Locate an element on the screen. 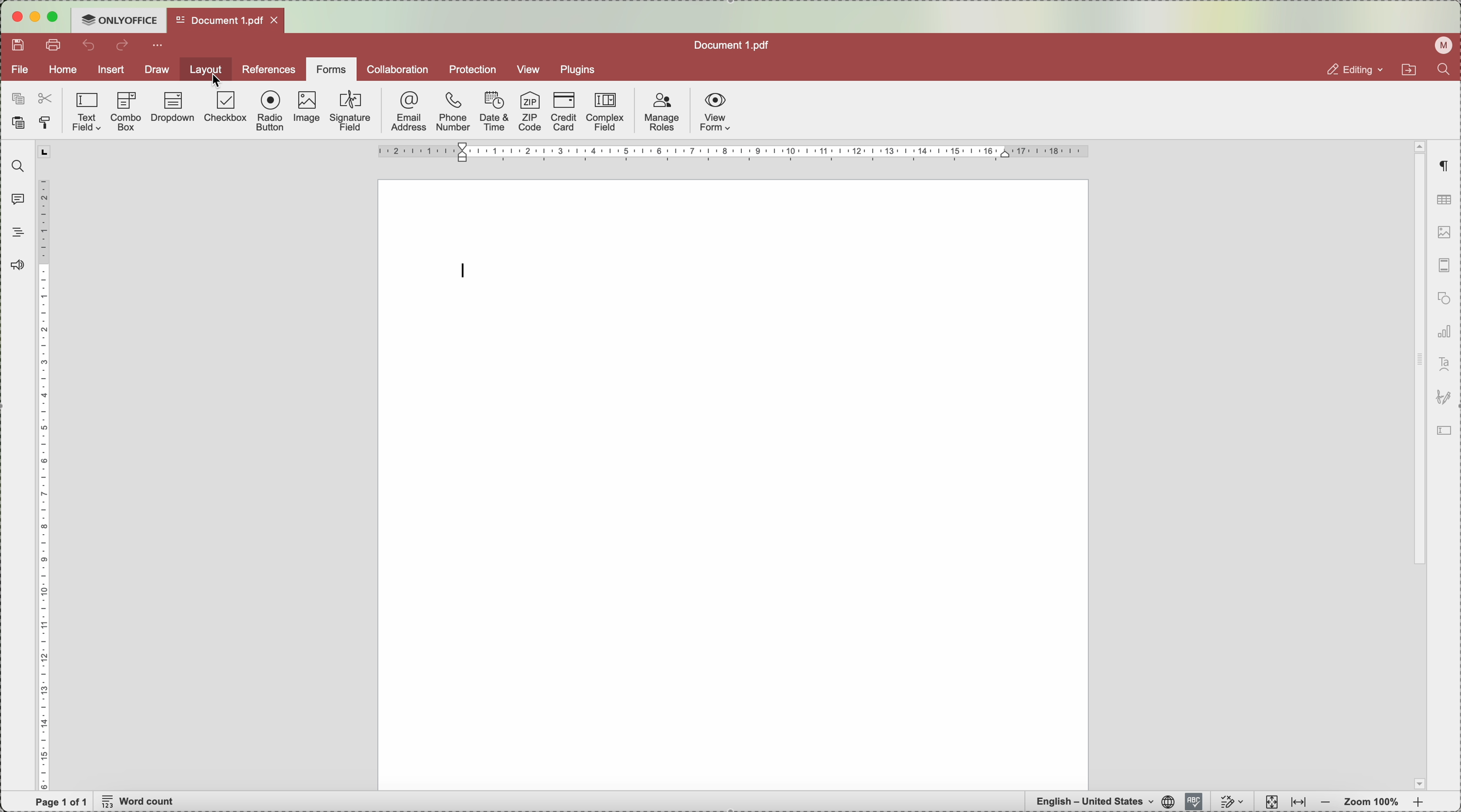  find is located at coordinates (1447, 72).